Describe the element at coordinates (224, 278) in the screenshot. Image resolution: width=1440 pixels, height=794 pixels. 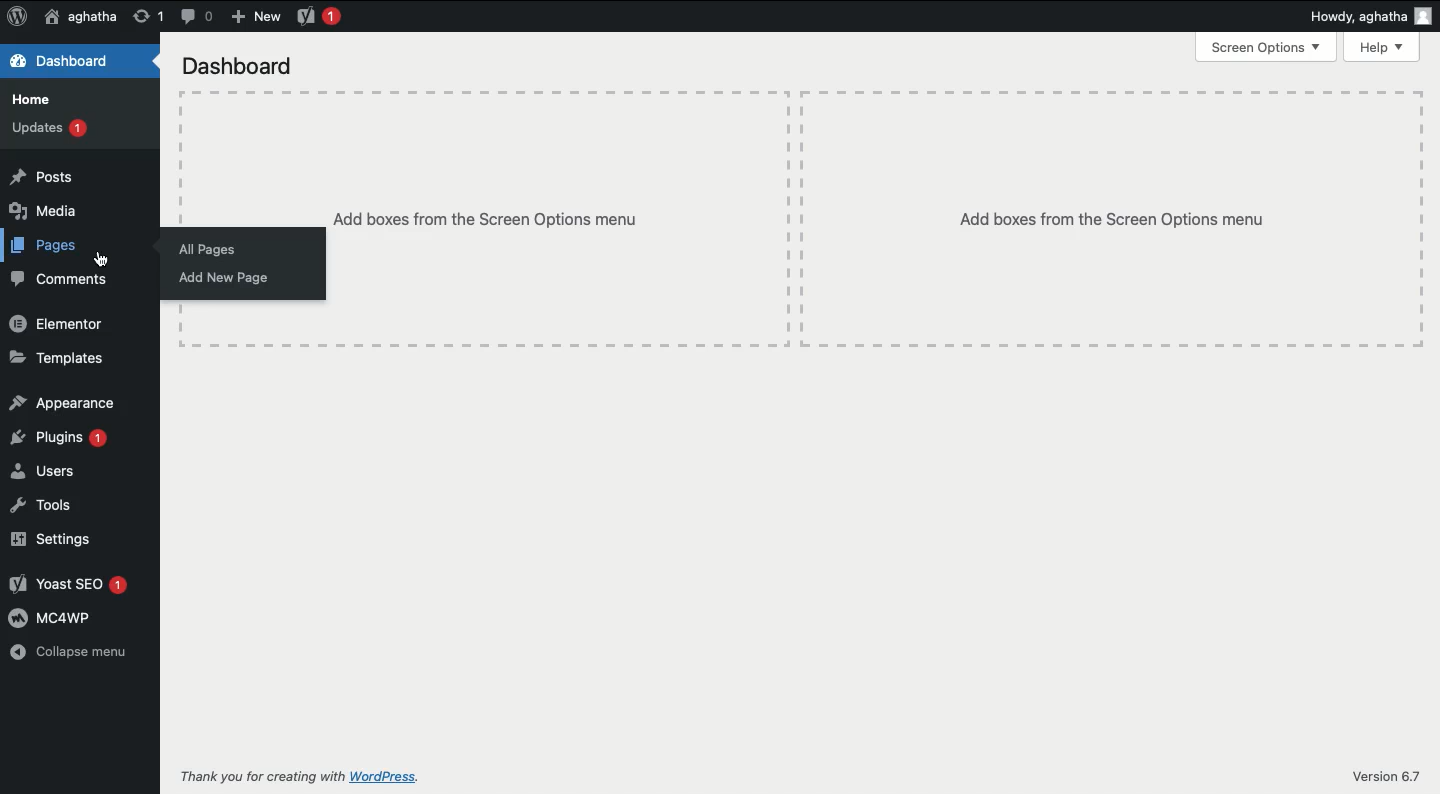
I see `Add new page` at that location.